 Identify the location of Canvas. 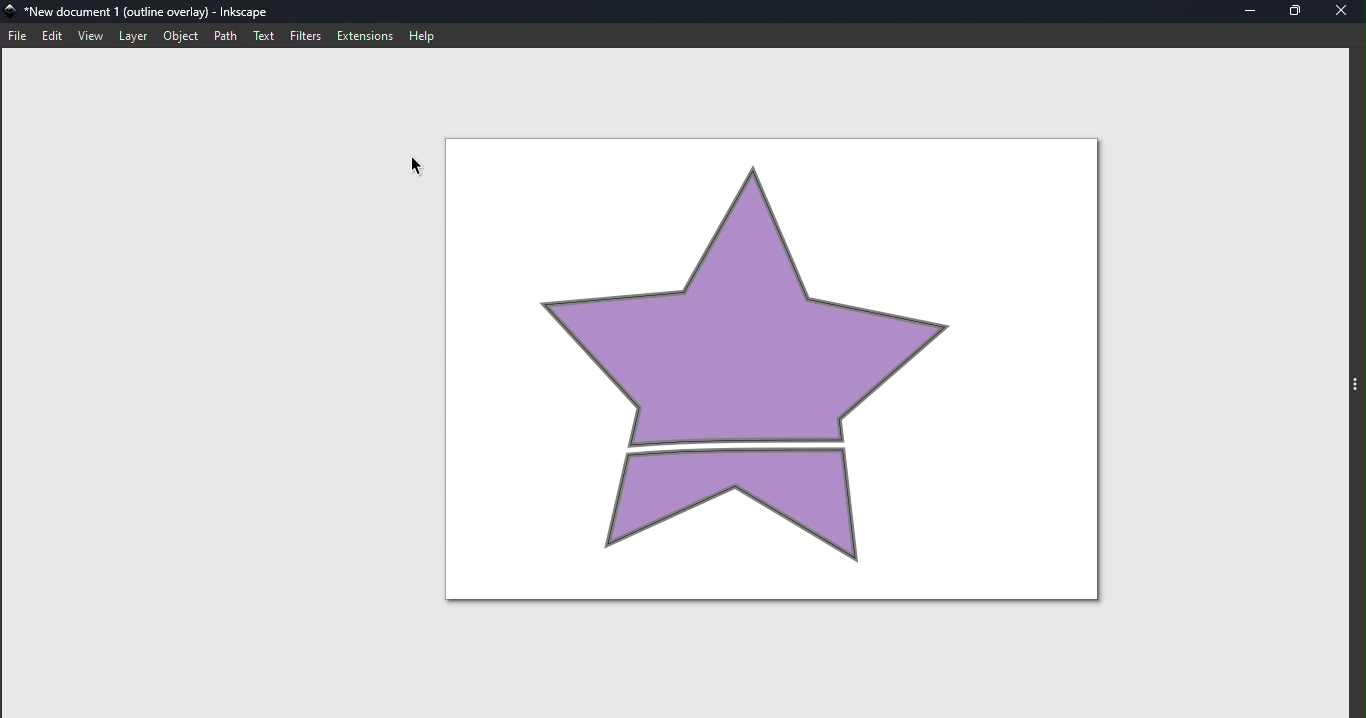
(774, 366).